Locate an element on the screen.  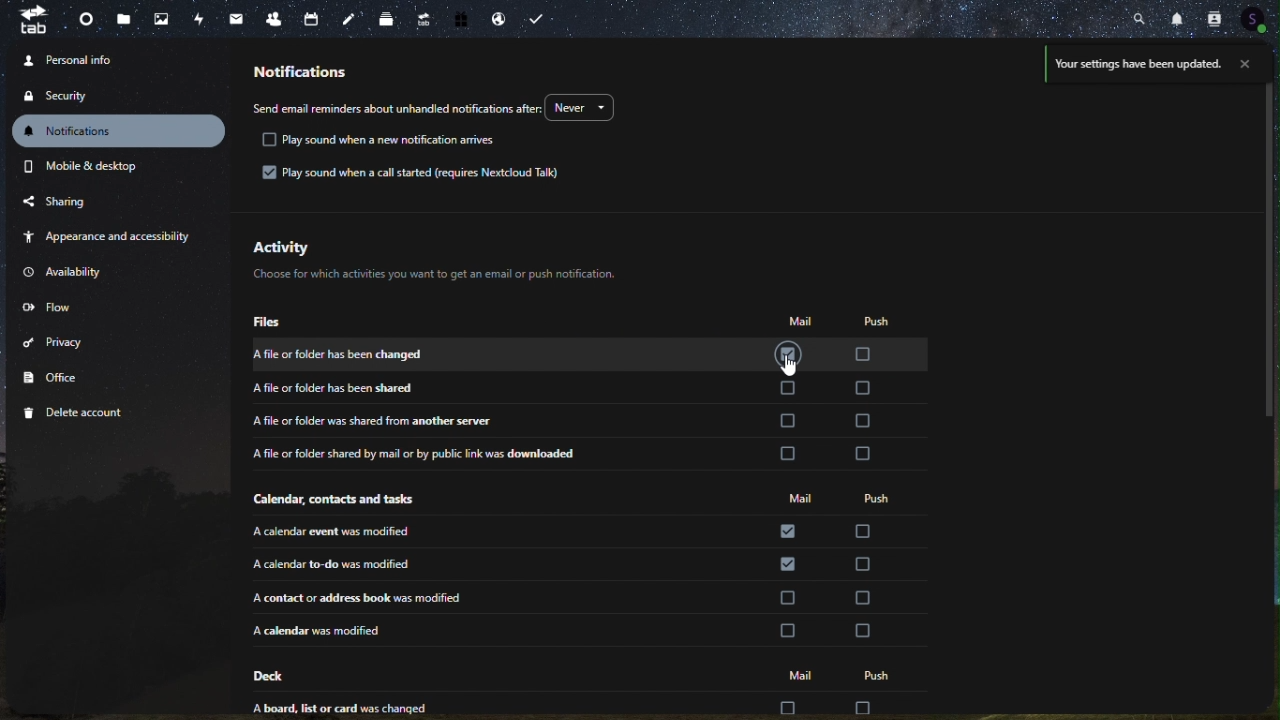
push is located at coordinates (886, 321).